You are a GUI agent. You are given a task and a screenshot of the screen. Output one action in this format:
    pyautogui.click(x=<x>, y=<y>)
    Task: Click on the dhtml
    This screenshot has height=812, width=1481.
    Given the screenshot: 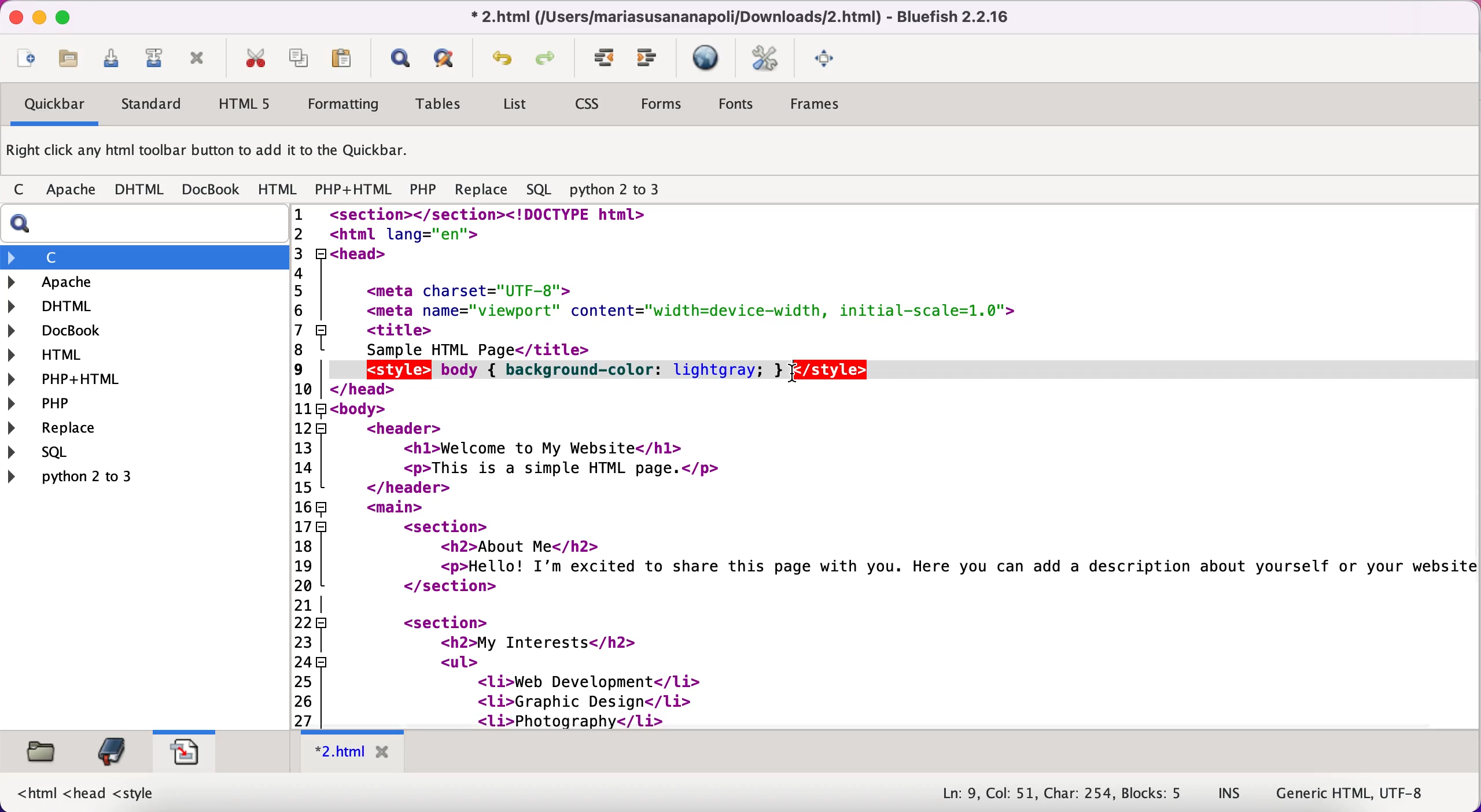 What is the action you would take?
    pyautogui.click(x=140, y=190)
    